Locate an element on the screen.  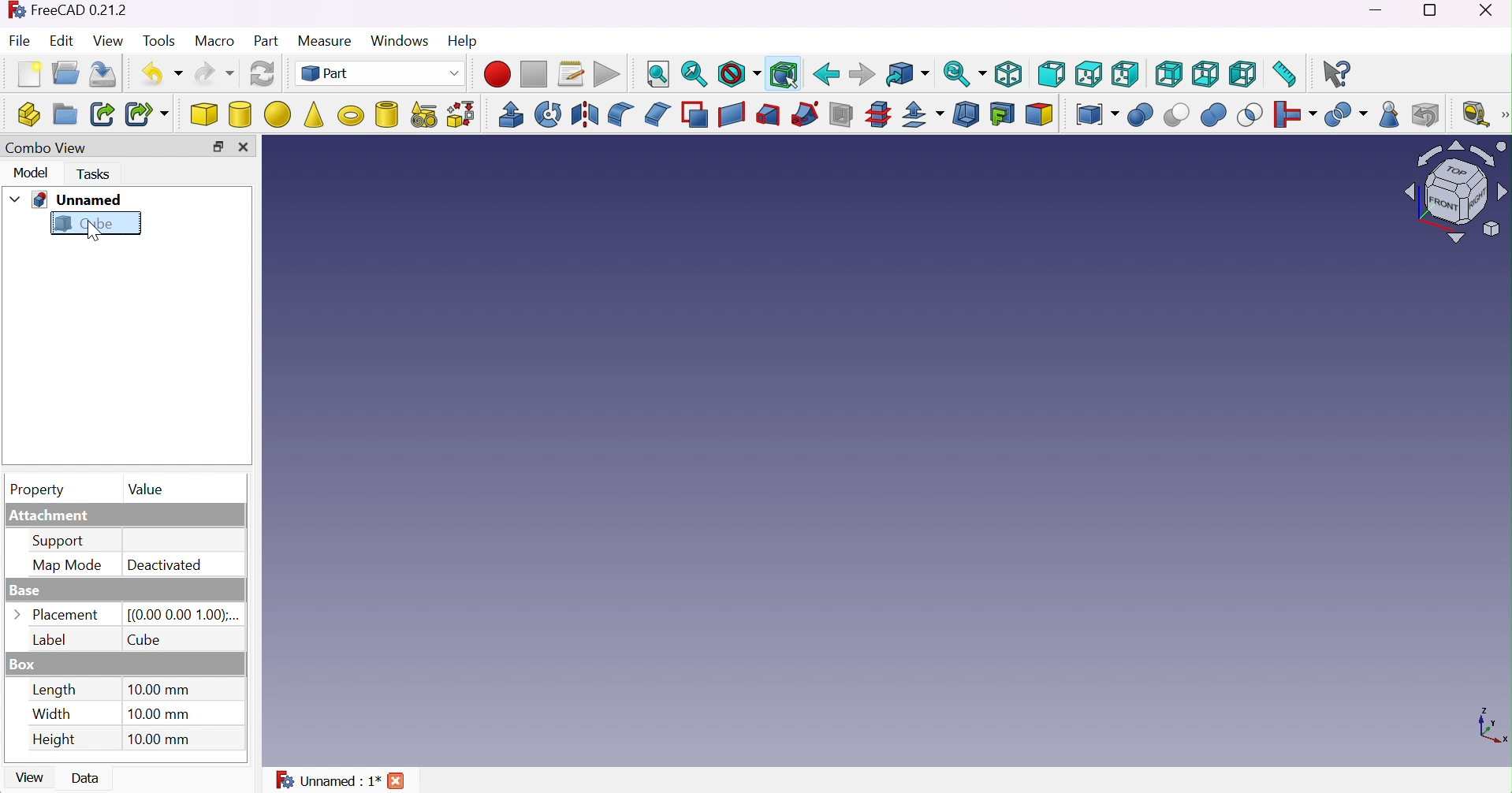
Save is located at coordinates (107, 74).